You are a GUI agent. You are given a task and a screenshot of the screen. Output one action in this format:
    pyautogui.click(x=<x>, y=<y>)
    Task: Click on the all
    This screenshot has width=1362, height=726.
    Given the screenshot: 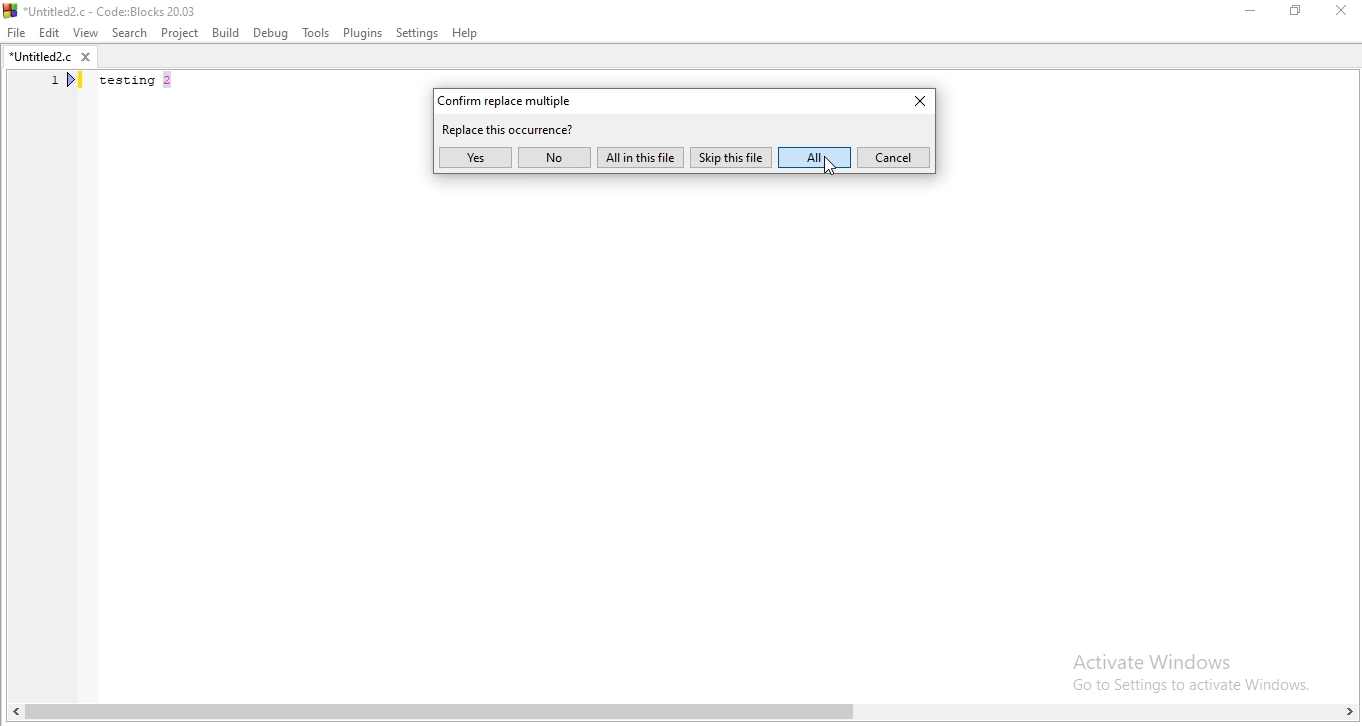 What is the action you would take?
    pyautogui.click(x=814, y=158)
    